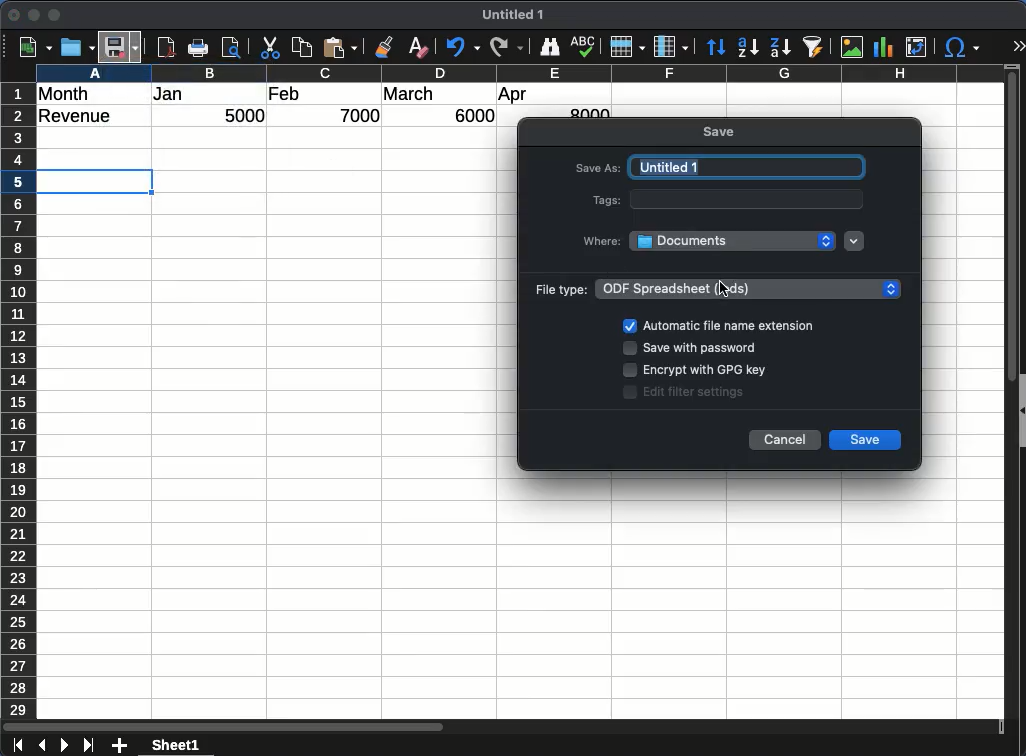  I want to click on checkbox, so click(629, 325).